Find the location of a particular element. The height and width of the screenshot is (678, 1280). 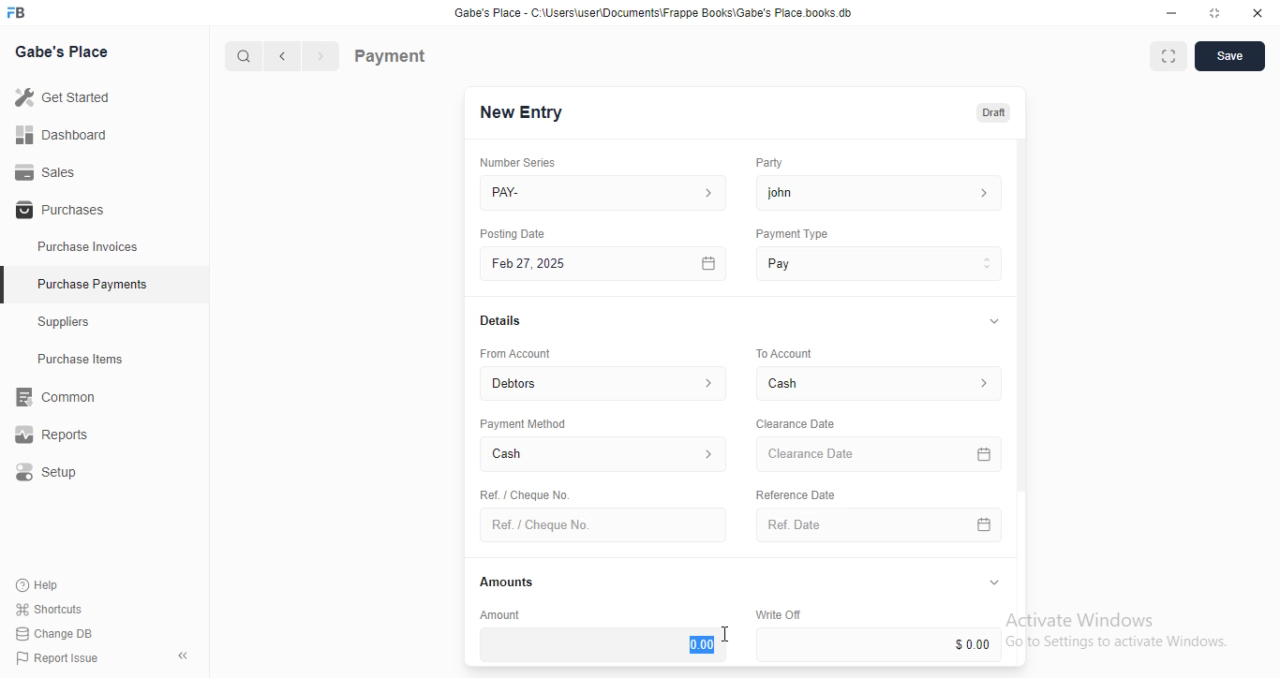

john is located at coordinates (879, 192).